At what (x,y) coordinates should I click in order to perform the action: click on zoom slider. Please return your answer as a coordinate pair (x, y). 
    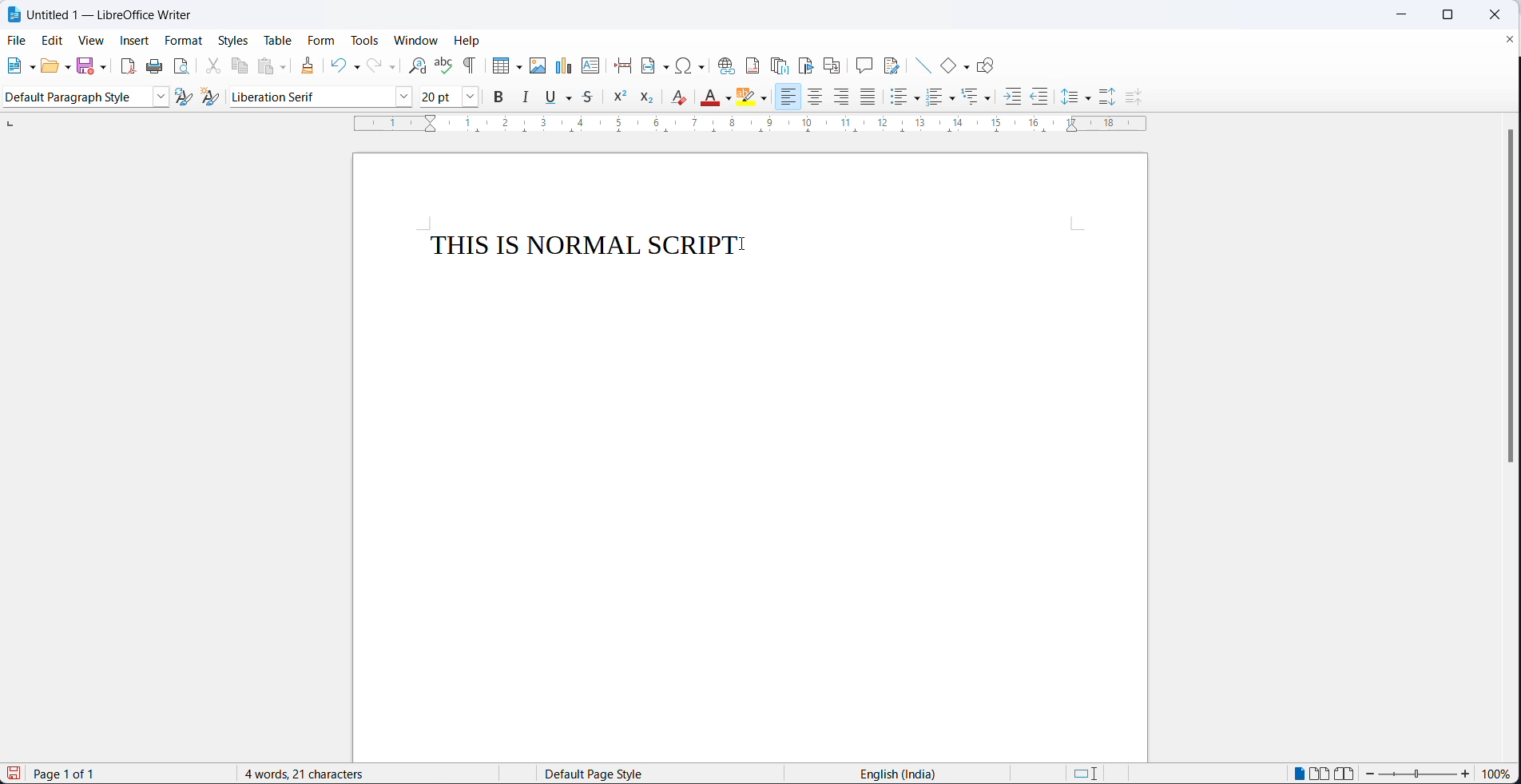
    Looking at the image, I should click on (1419, 776).